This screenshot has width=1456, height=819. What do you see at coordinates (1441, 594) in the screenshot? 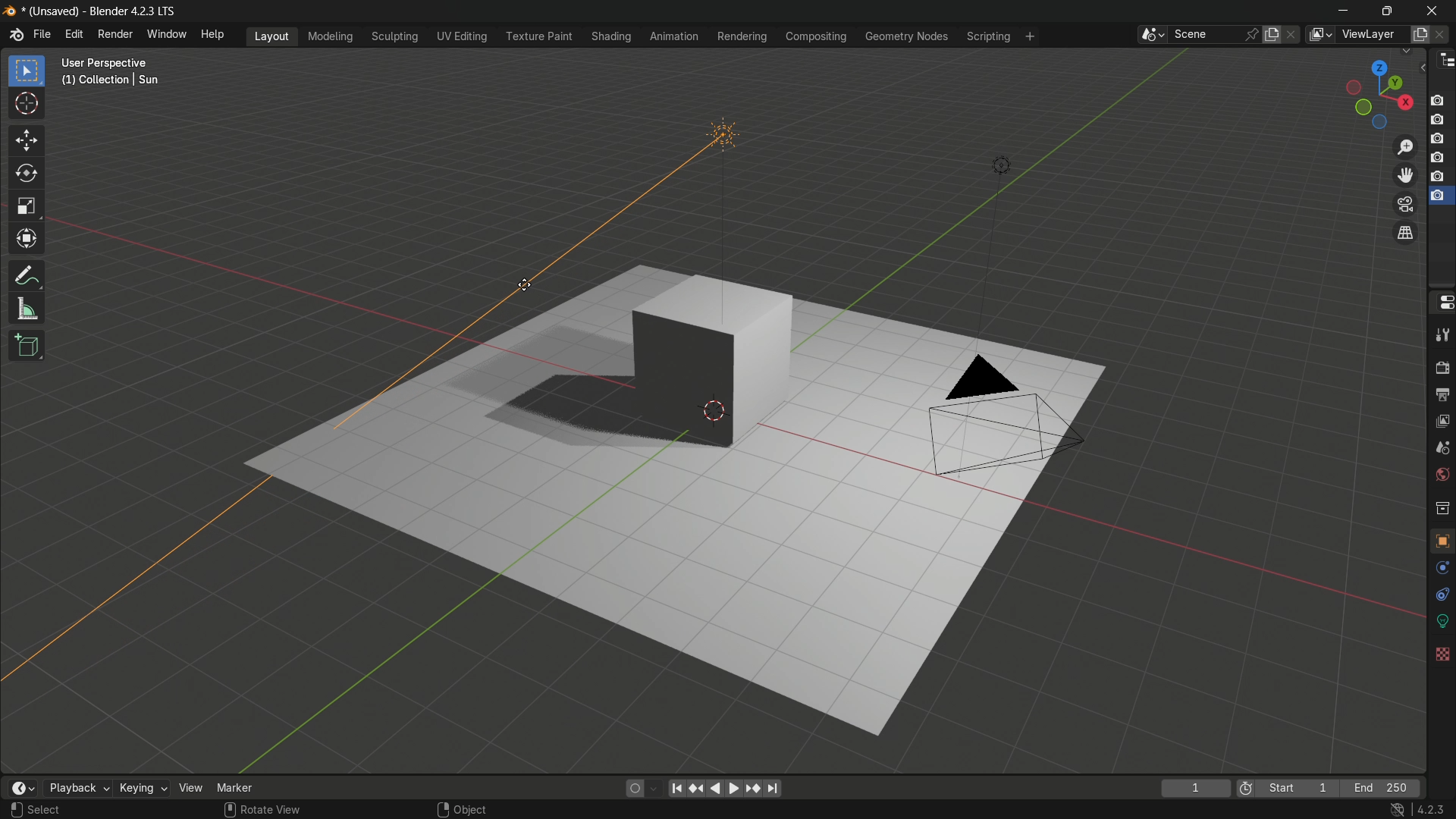
I see `constraints` at bounding box center [1441, 594].